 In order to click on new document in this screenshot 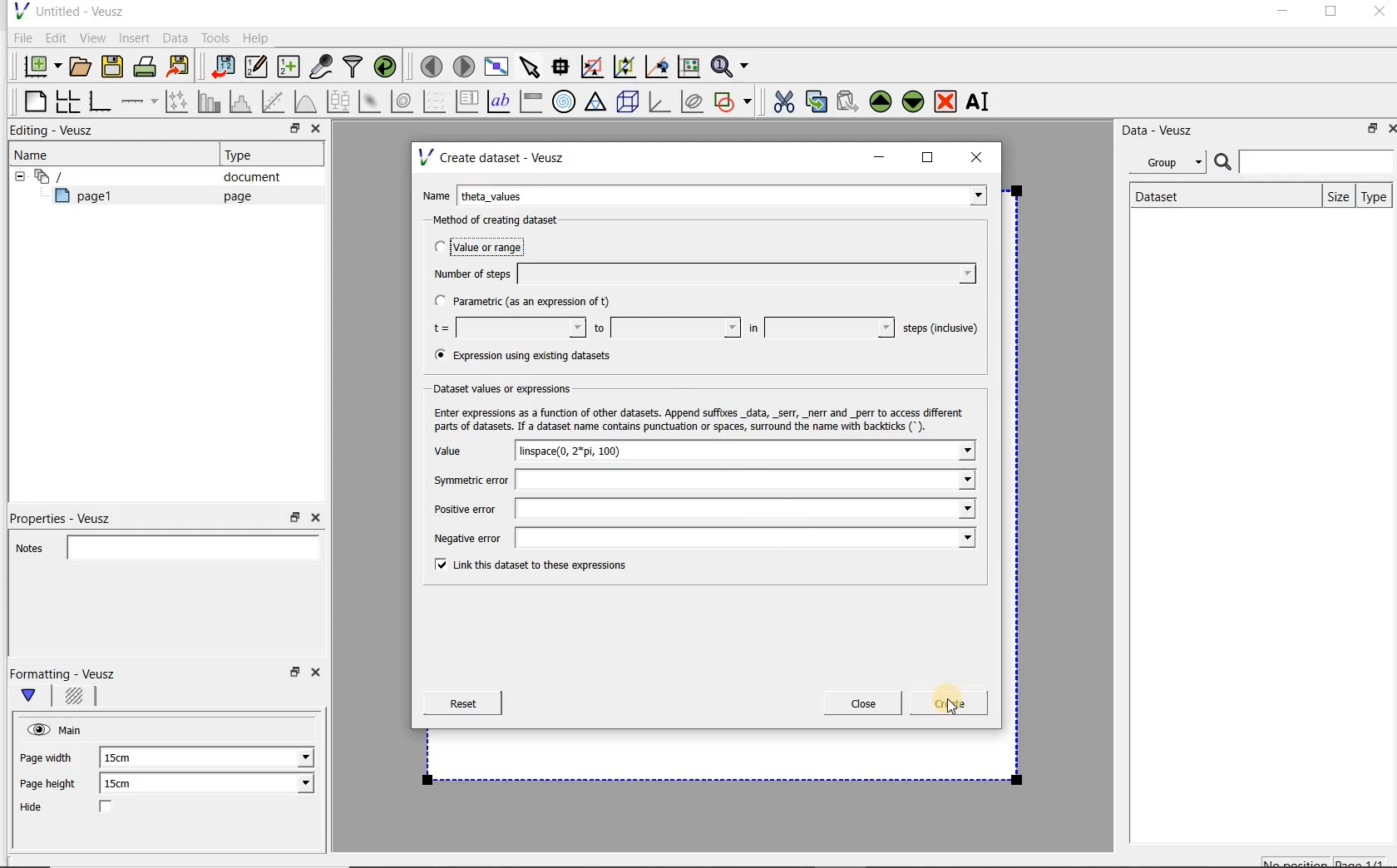, I will do `click(38, 64)`.